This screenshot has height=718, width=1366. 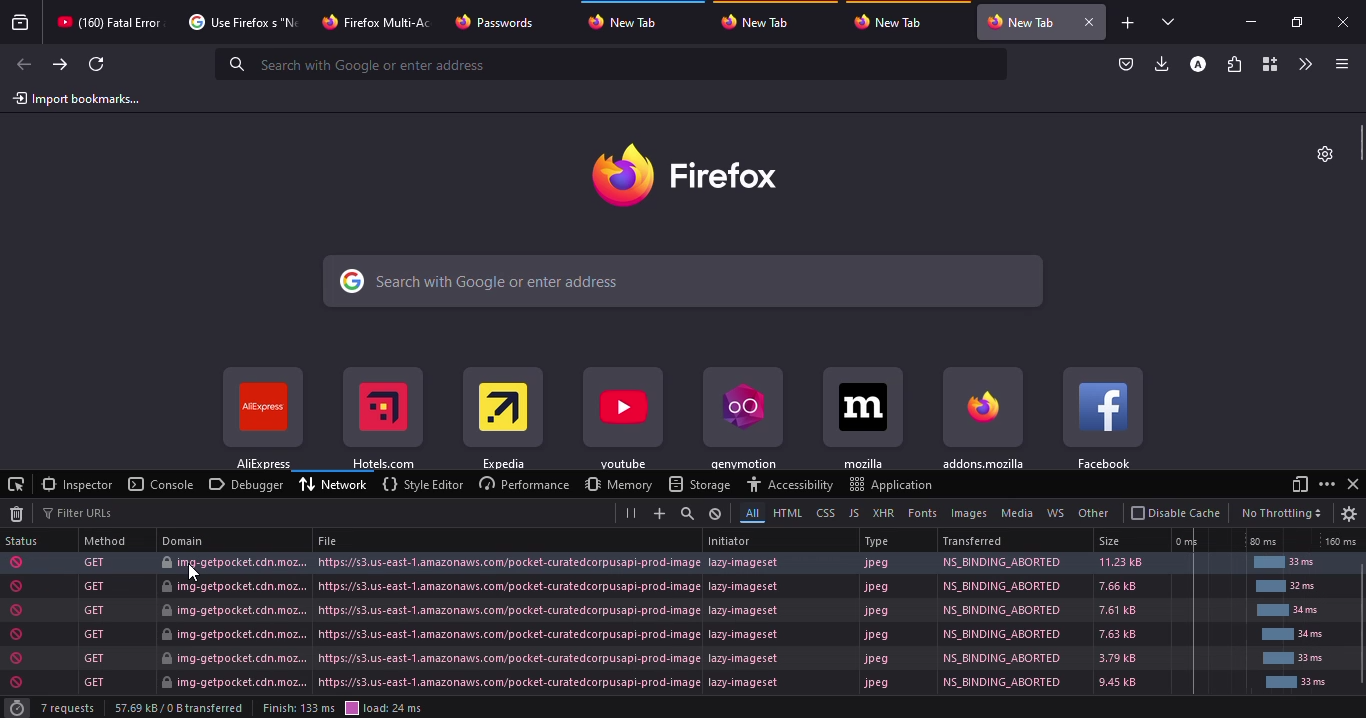 I want to click on status, so click(x=666, y=656).